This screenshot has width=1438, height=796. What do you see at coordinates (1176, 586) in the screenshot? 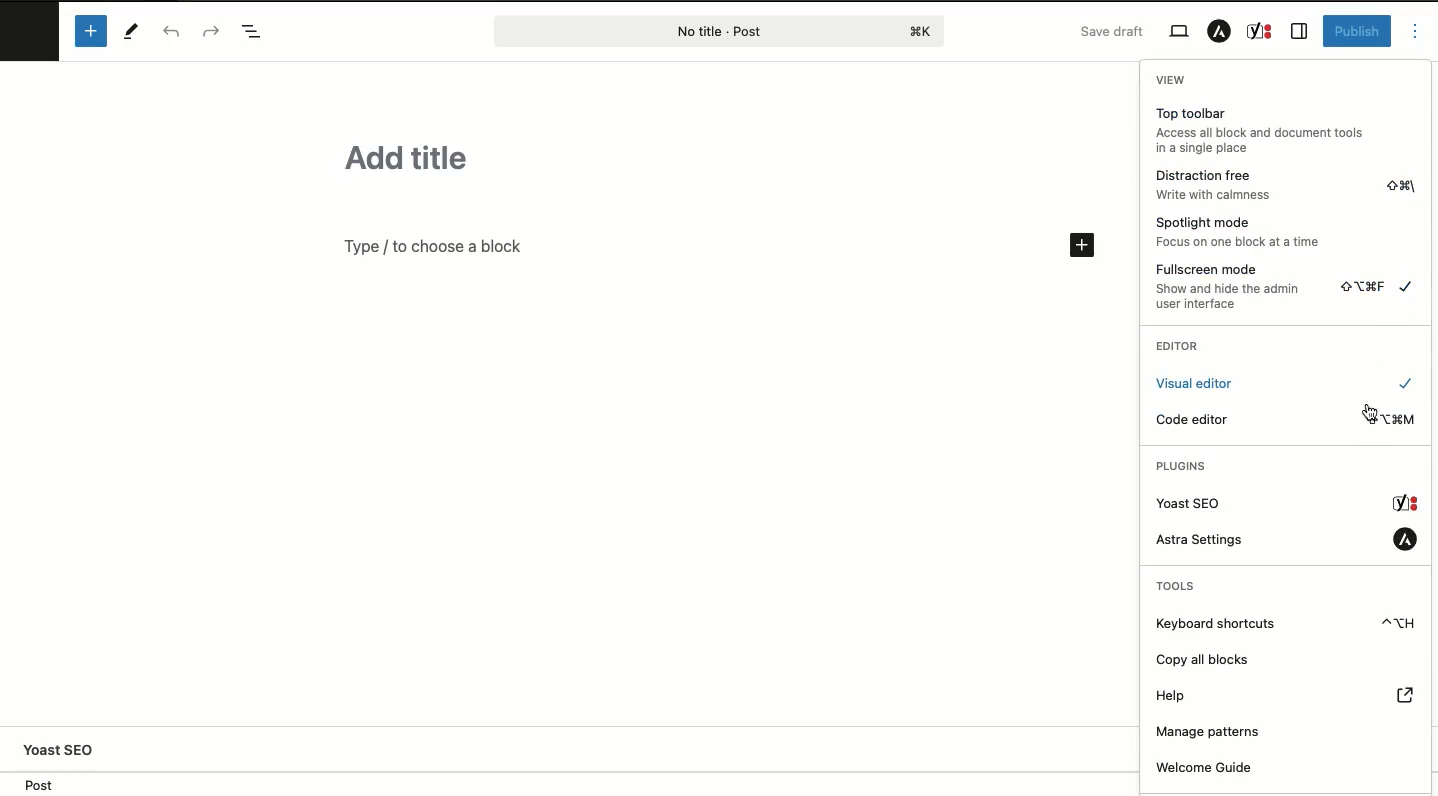
I see `Tools` at bounding box center [1176, 586].